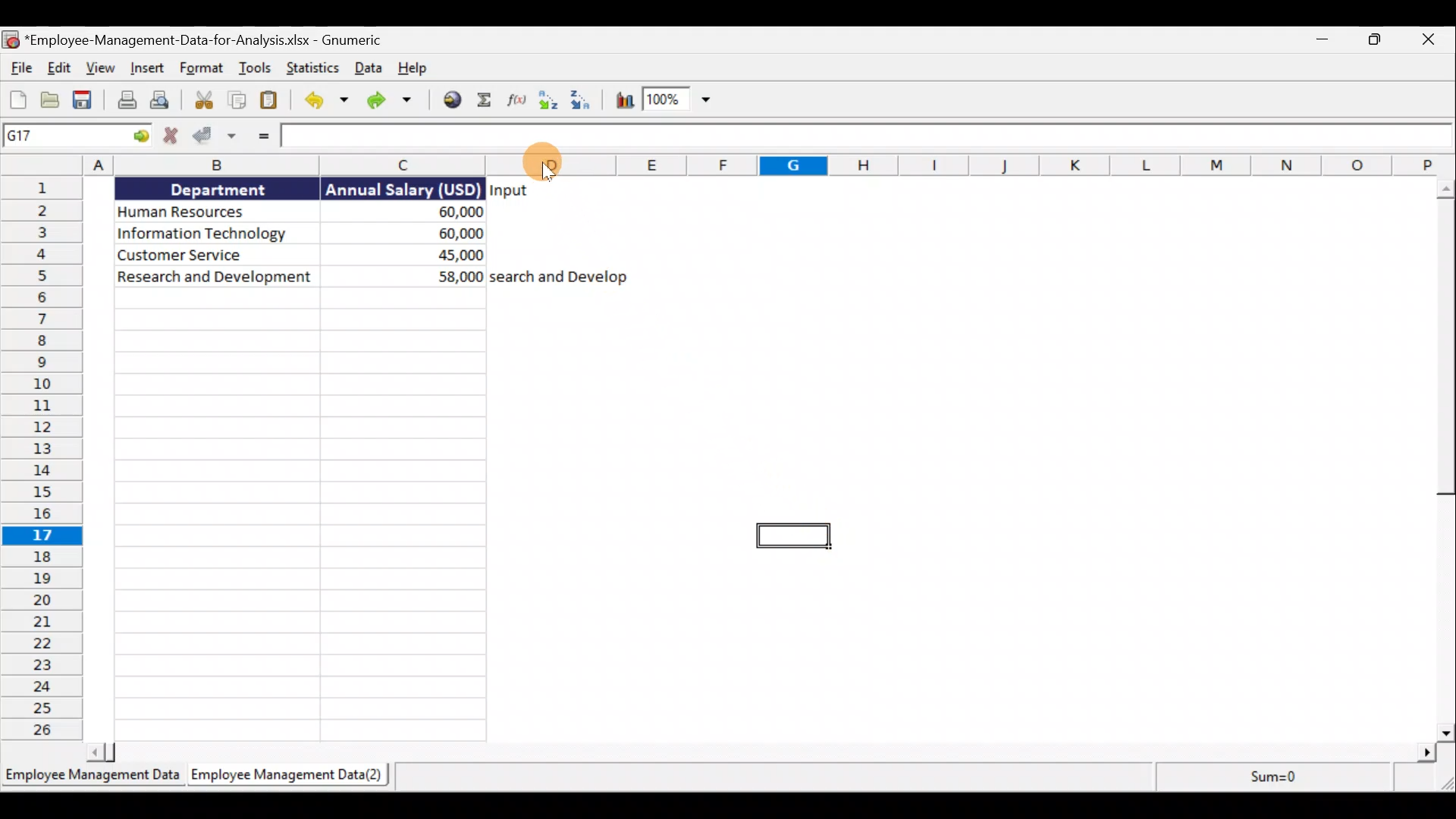 Image resolution: width=1456 pixels, height=819 pixels. What do you see at coordinates (559, 278) in the screenshot?
I see `search and develop` at bounding box center [559, 278].